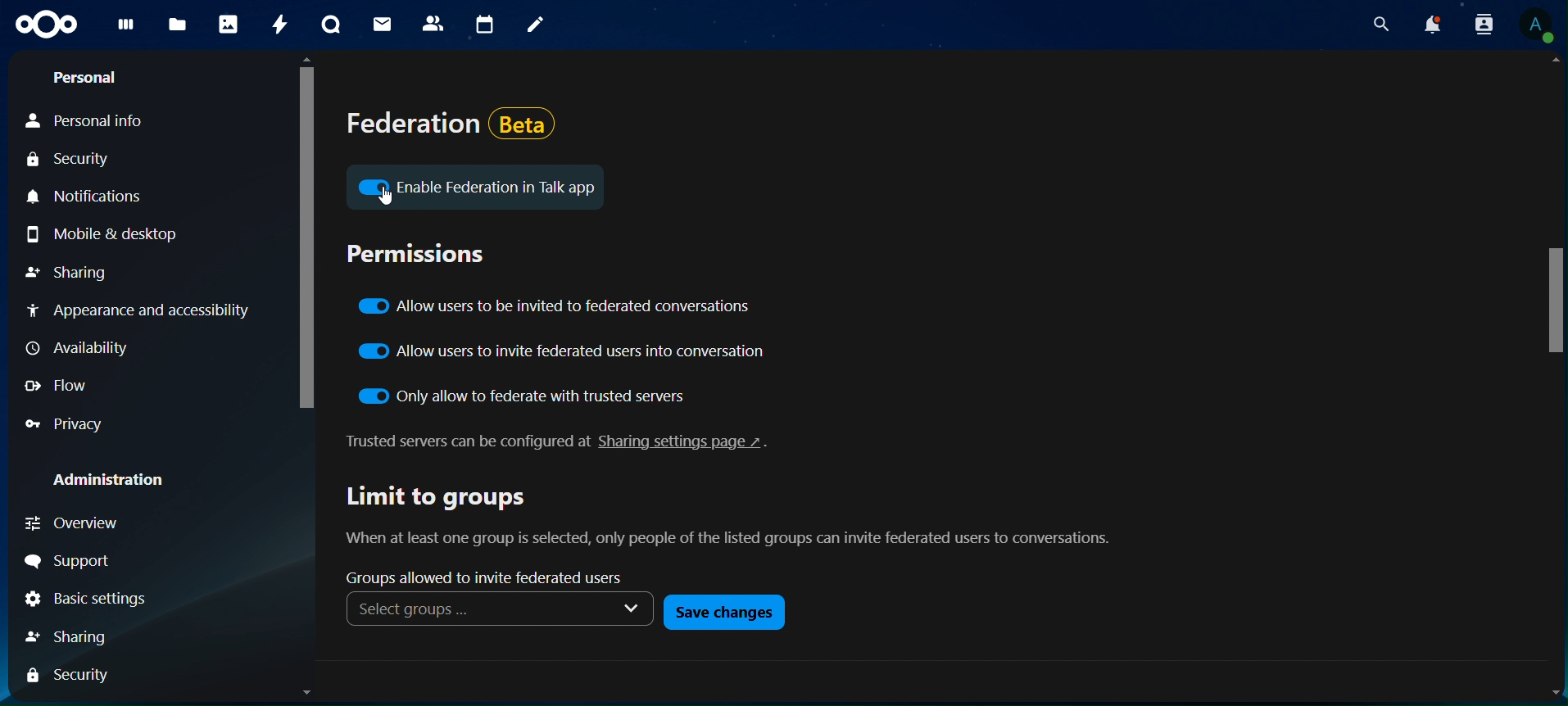  I want to click on search contacts, so click(1480, 25).